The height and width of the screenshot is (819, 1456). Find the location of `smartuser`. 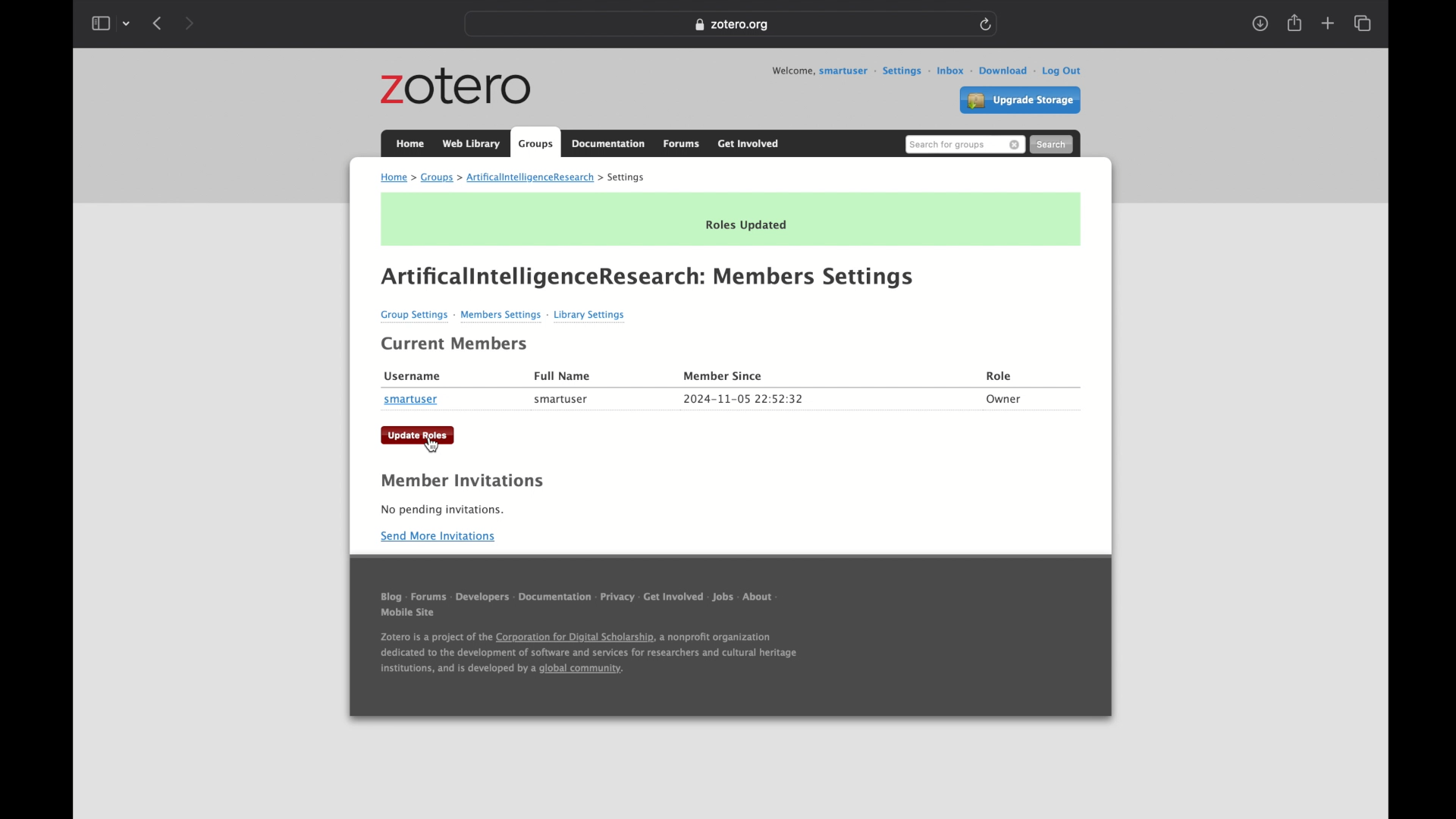

smartuser is located at coordinates (559, 400).